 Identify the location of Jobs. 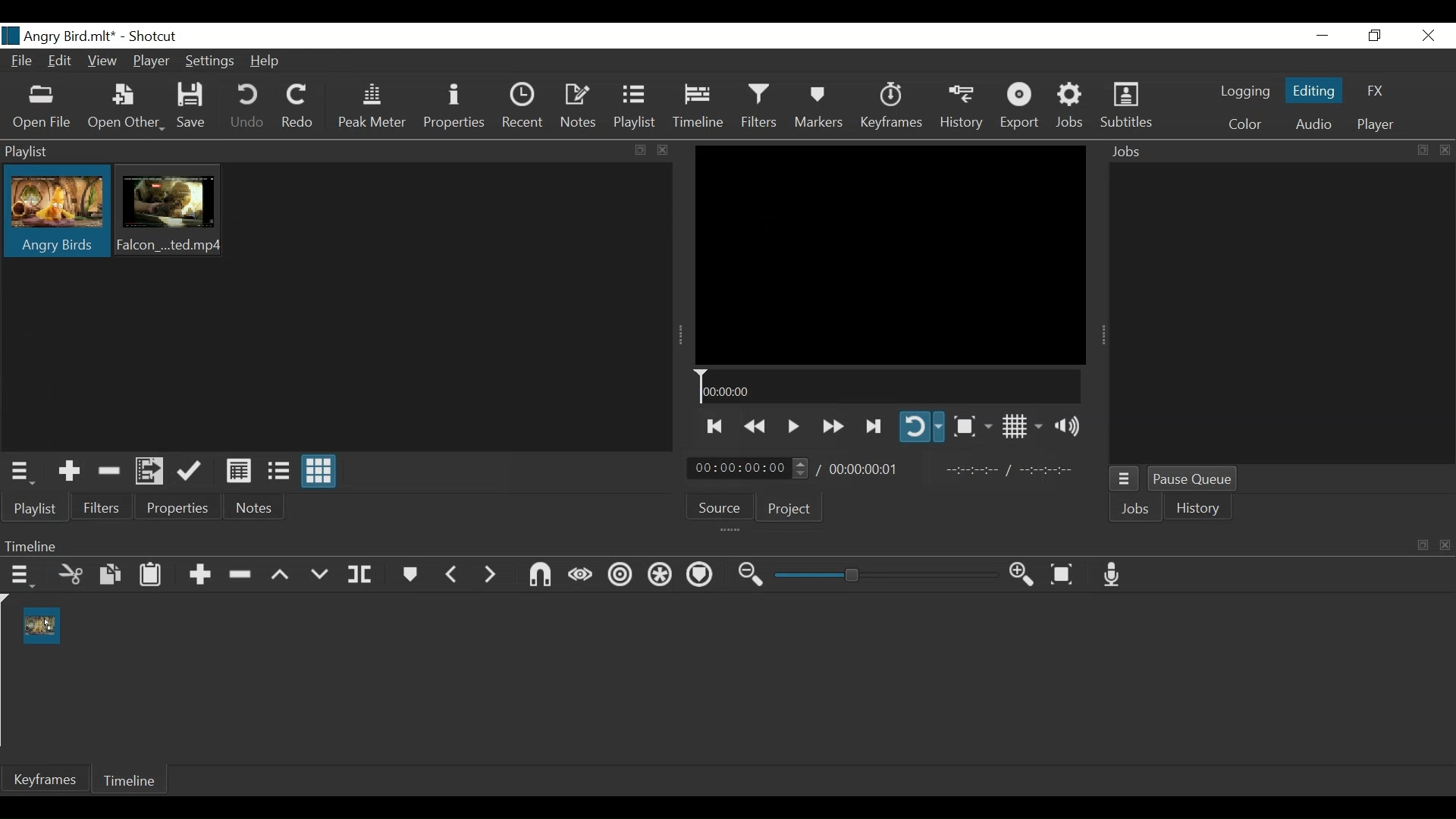
(1072, 108).